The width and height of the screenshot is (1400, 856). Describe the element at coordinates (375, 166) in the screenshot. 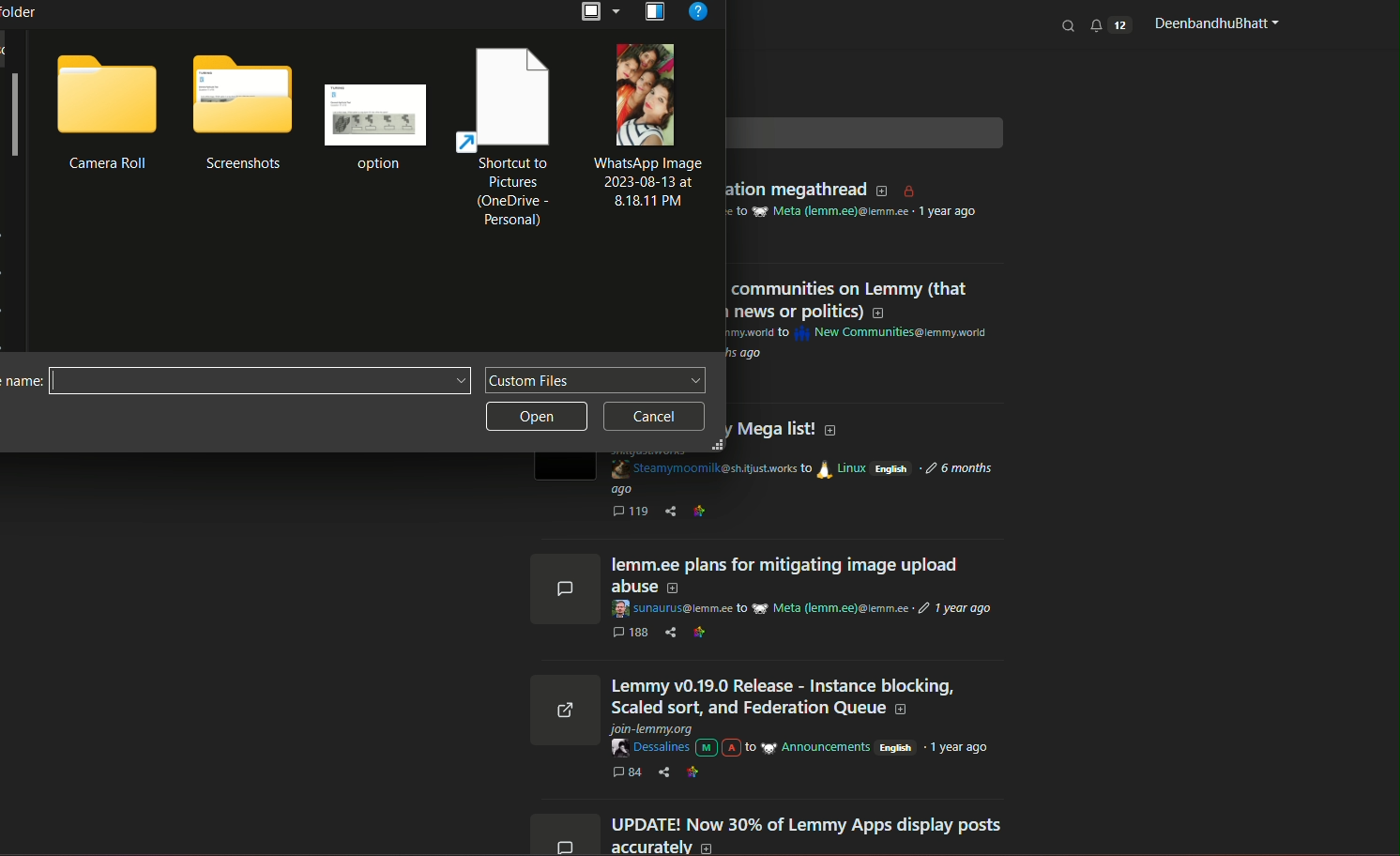

I see `Option` at that location.